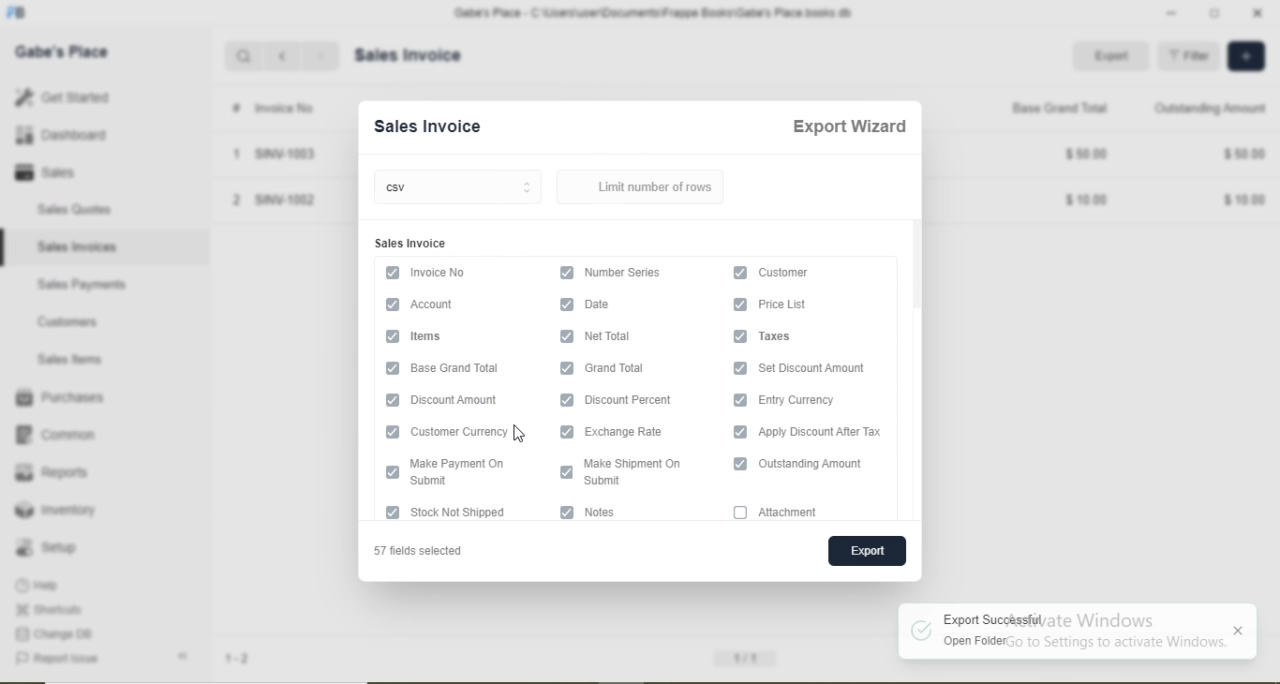  What do you see at coordinates (75, 360) in the screenshot?
I see `Sales Items` at bounding box center [75, 360].